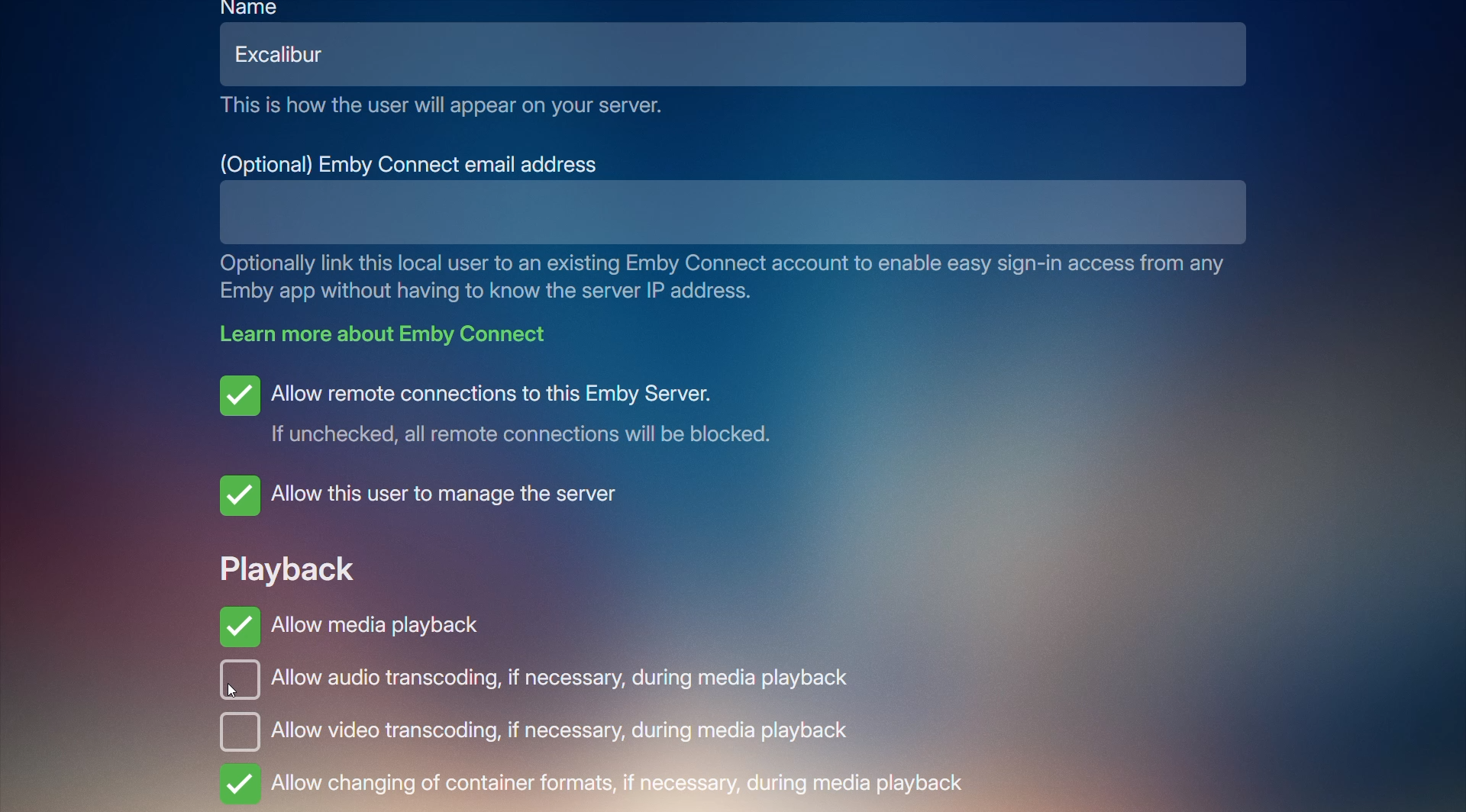 This screenshot has width=1466, height=812. Describe the element at coordinates (731, 278) in the screenshot. I see `Optionally link this local user to an existing Emby Connect account to enable easy sign-in access from any
Emby app without having to know the server IP address.` at that location.